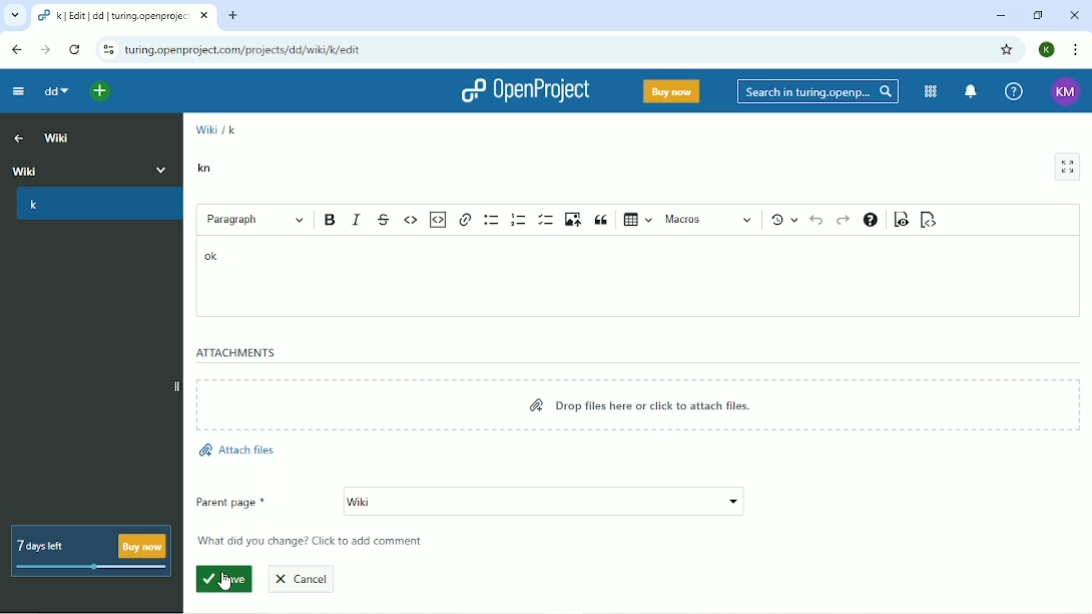  What do you see at coordinates (305, 579) in the screenshot?
I see `Cancel` at bounding box center [305, 579].